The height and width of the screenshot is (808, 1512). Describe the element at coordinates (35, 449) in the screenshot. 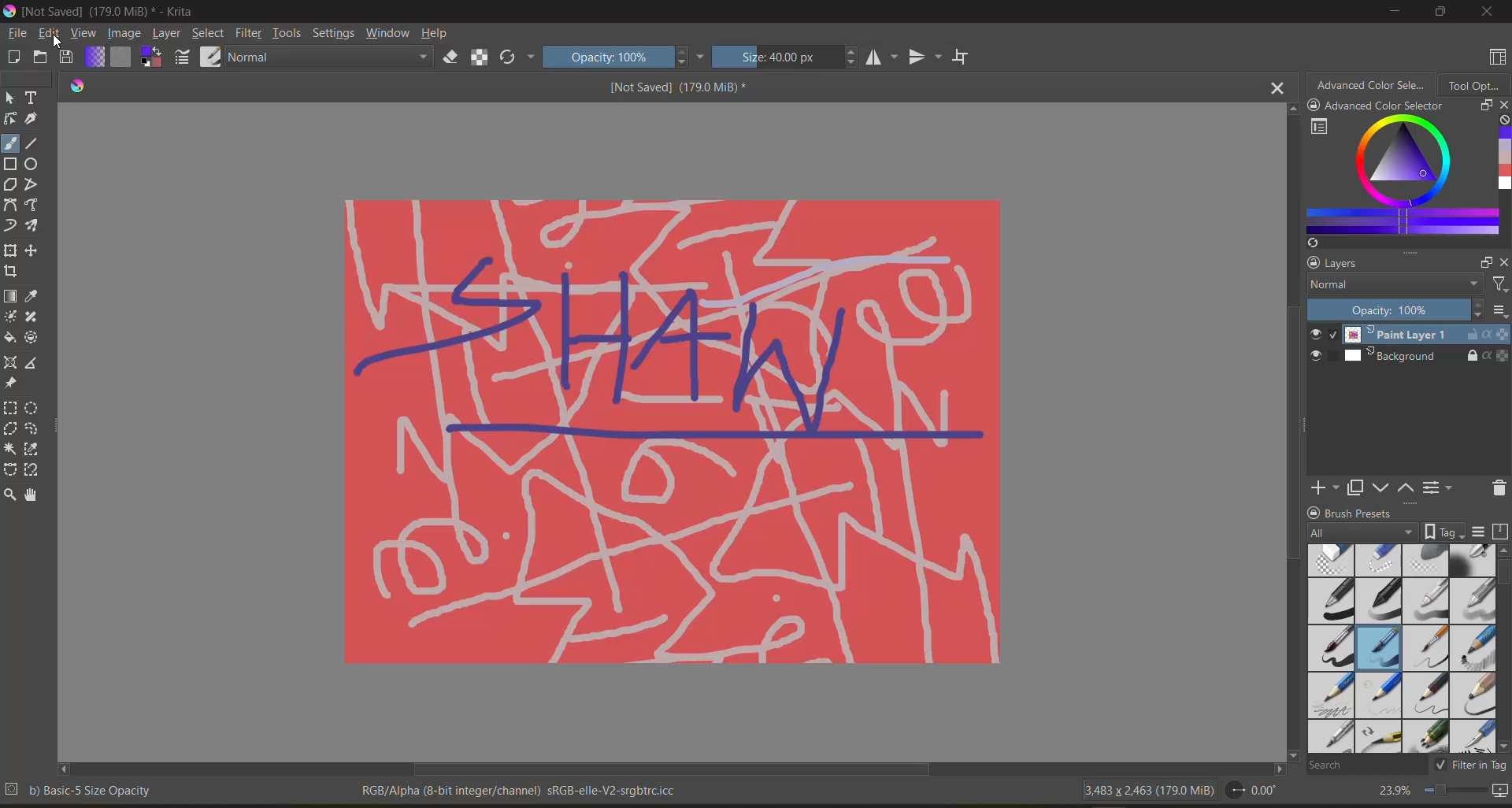

I see `Similar color selection tool` at that location.